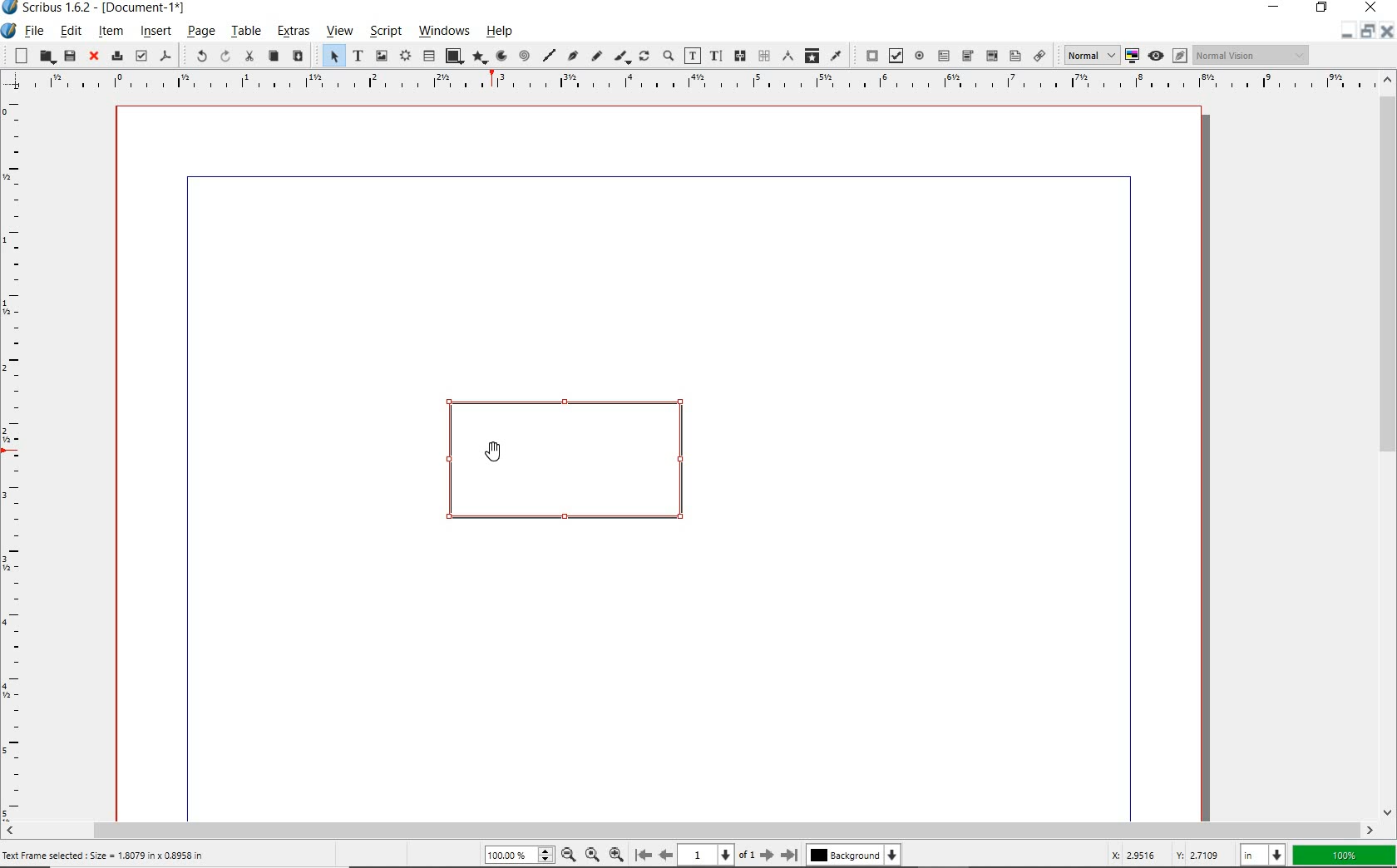 This screenshot has height=868, width=1397. Describe the element at coordinates (200, 33) in the screenshot. I see `page` at that location.